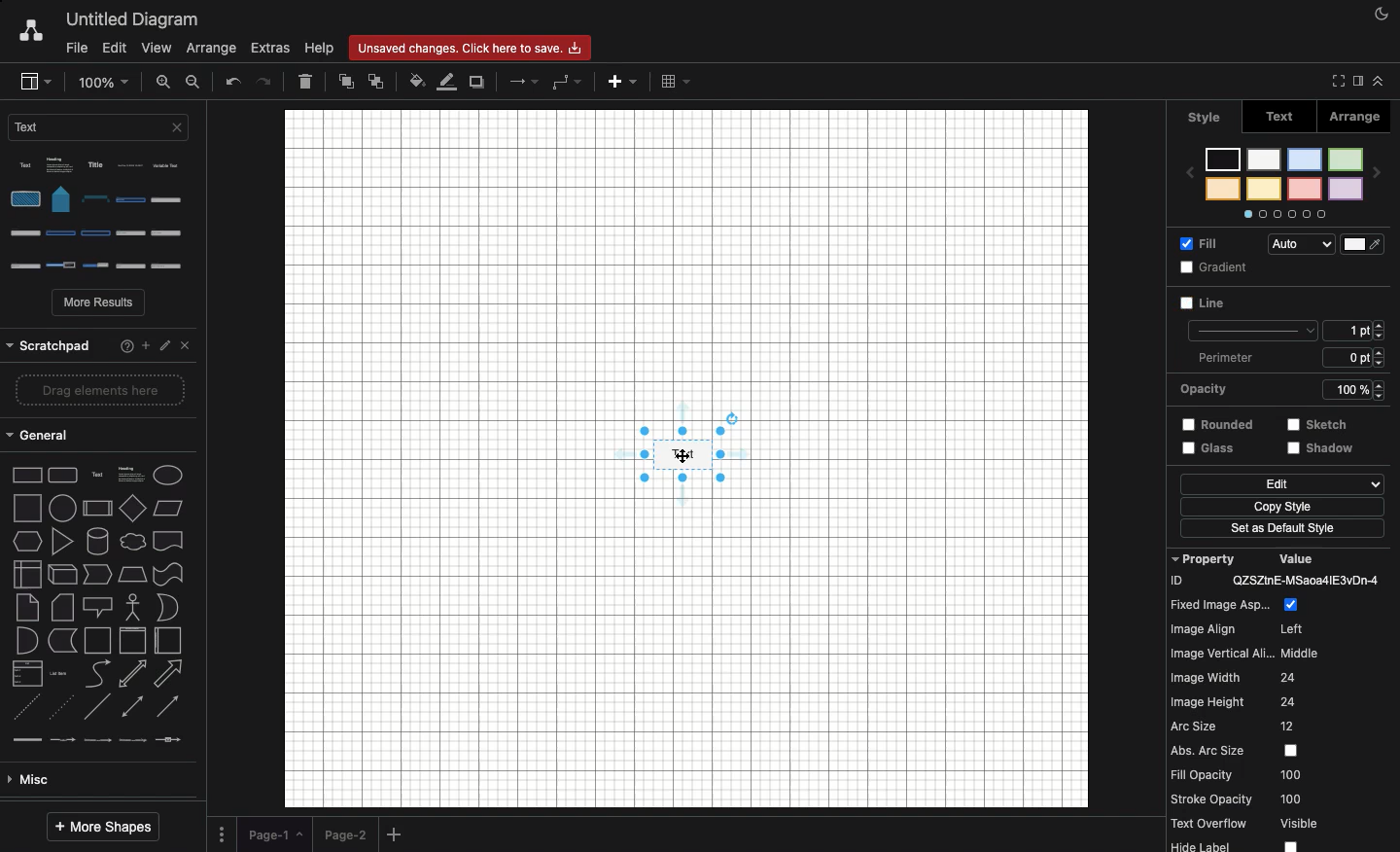  Describe the element at coordinates (102, 828) in the screenshot. I see `More shapes` at that location.